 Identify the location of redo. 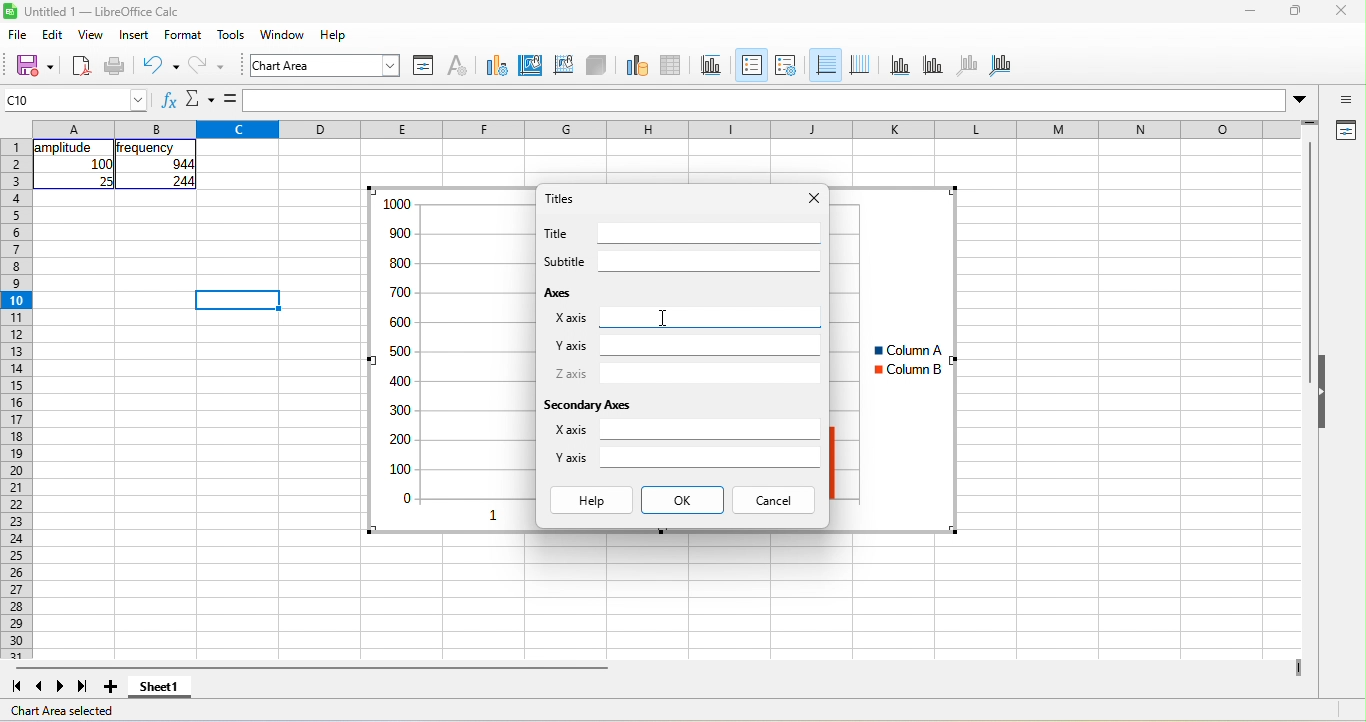
(207, 67).